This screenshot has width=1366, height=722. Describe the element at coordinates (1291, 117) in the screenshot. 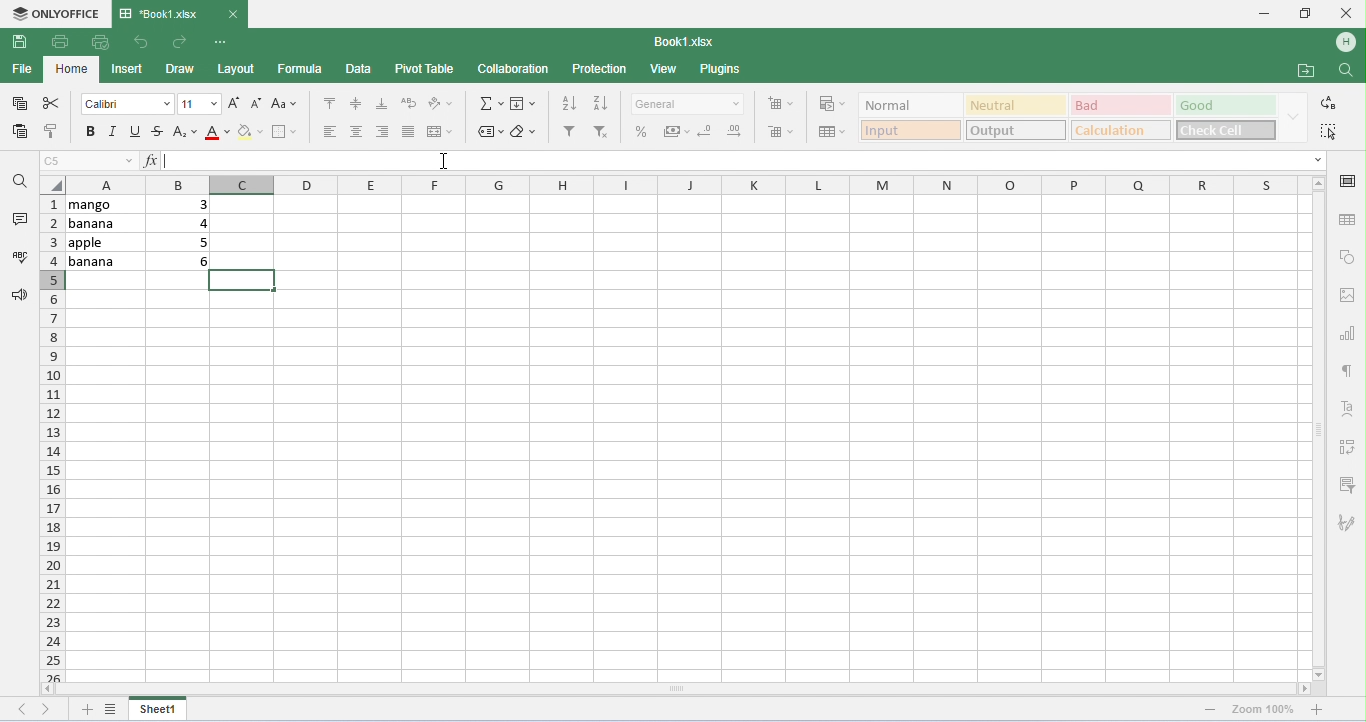

I see `drop down` at that location.